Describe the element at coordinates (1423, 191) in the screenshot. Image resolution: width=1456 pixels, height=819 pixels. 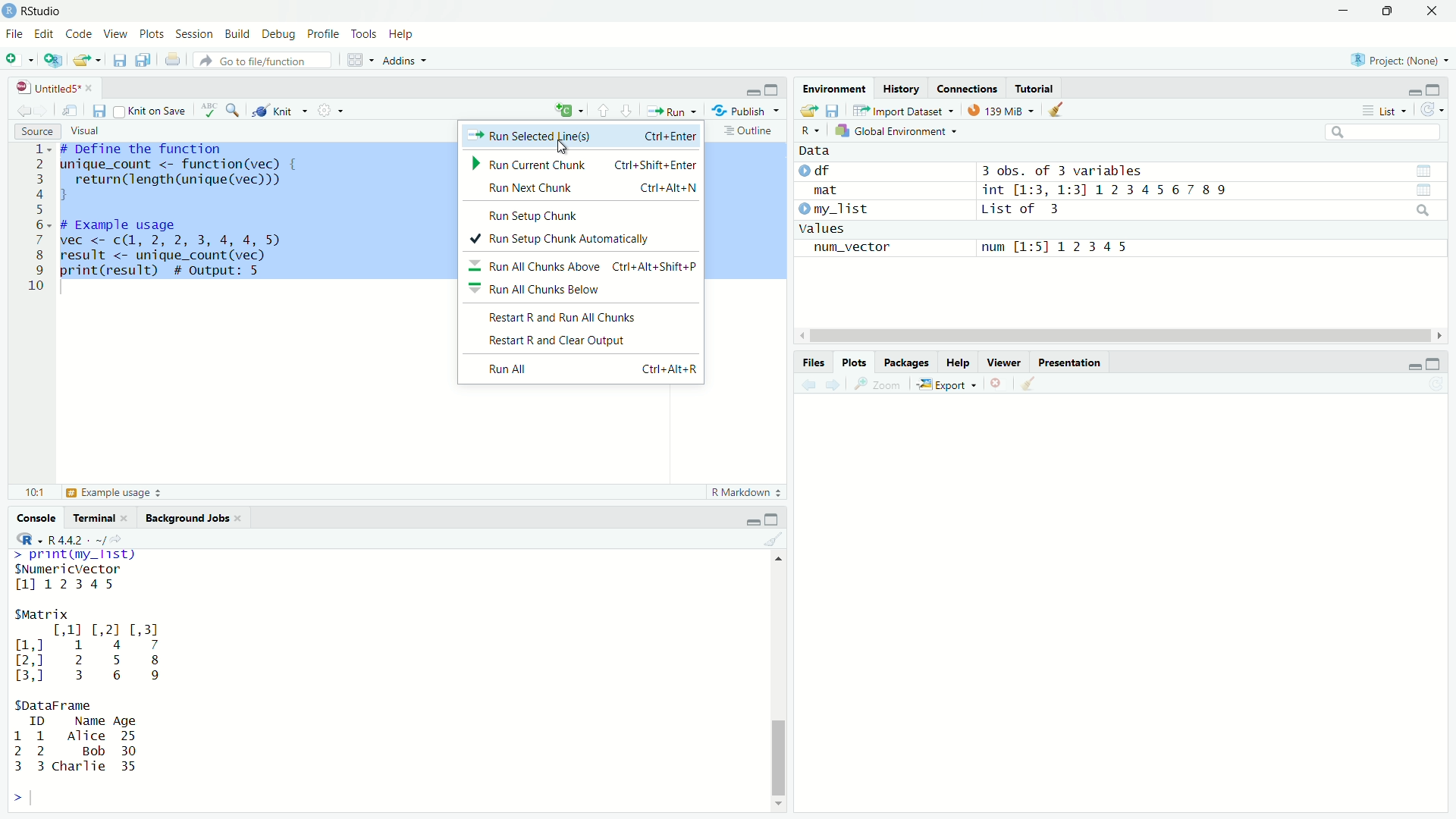
I see `view data` at that location.